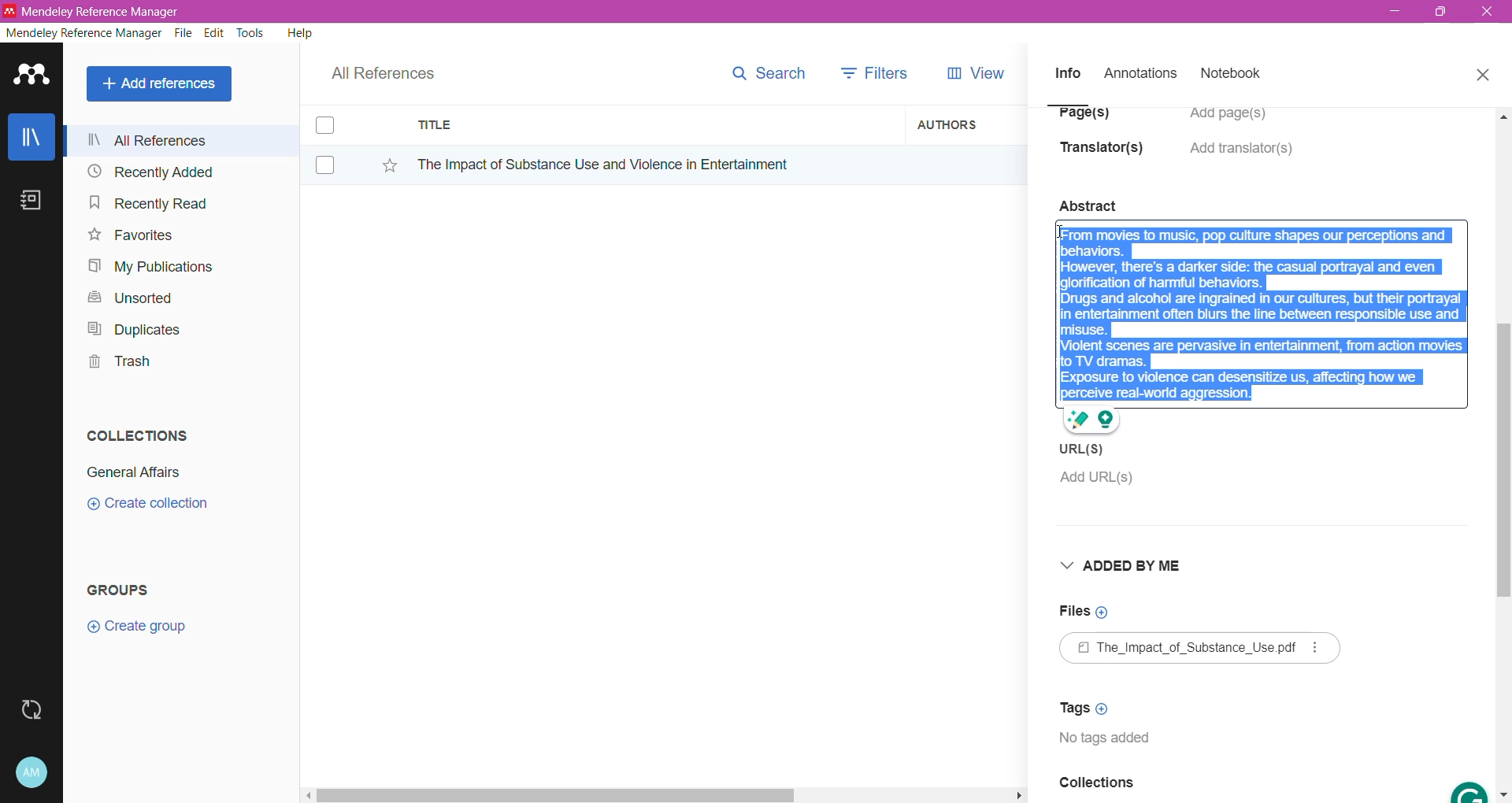 Image resolution: width=1512 pixels, height=803 pixels. I want to click on Collections, so click(133, 432).